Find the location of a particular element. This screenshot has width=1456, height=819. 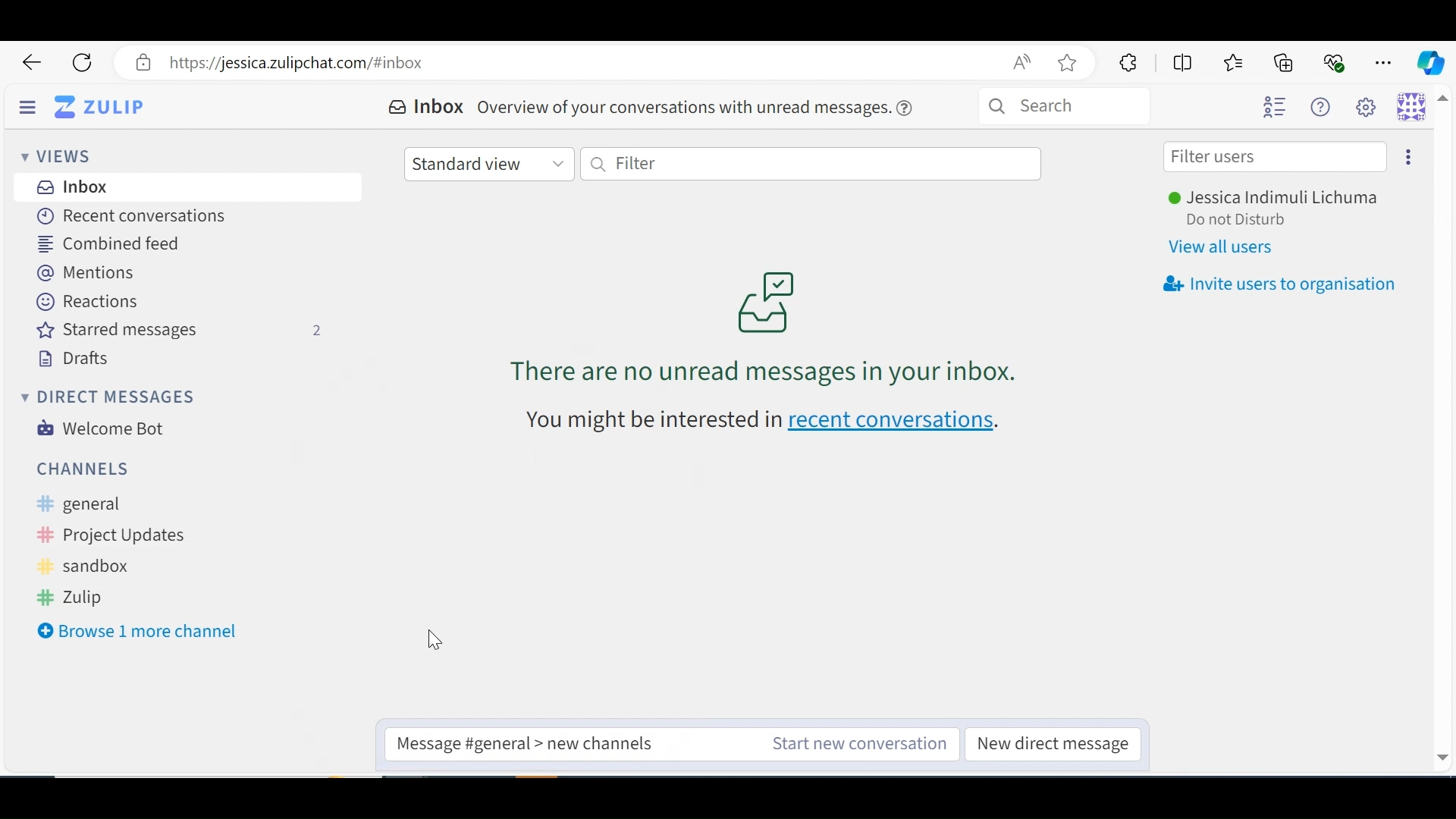

Extensions is located at coordinates (1126, 63).